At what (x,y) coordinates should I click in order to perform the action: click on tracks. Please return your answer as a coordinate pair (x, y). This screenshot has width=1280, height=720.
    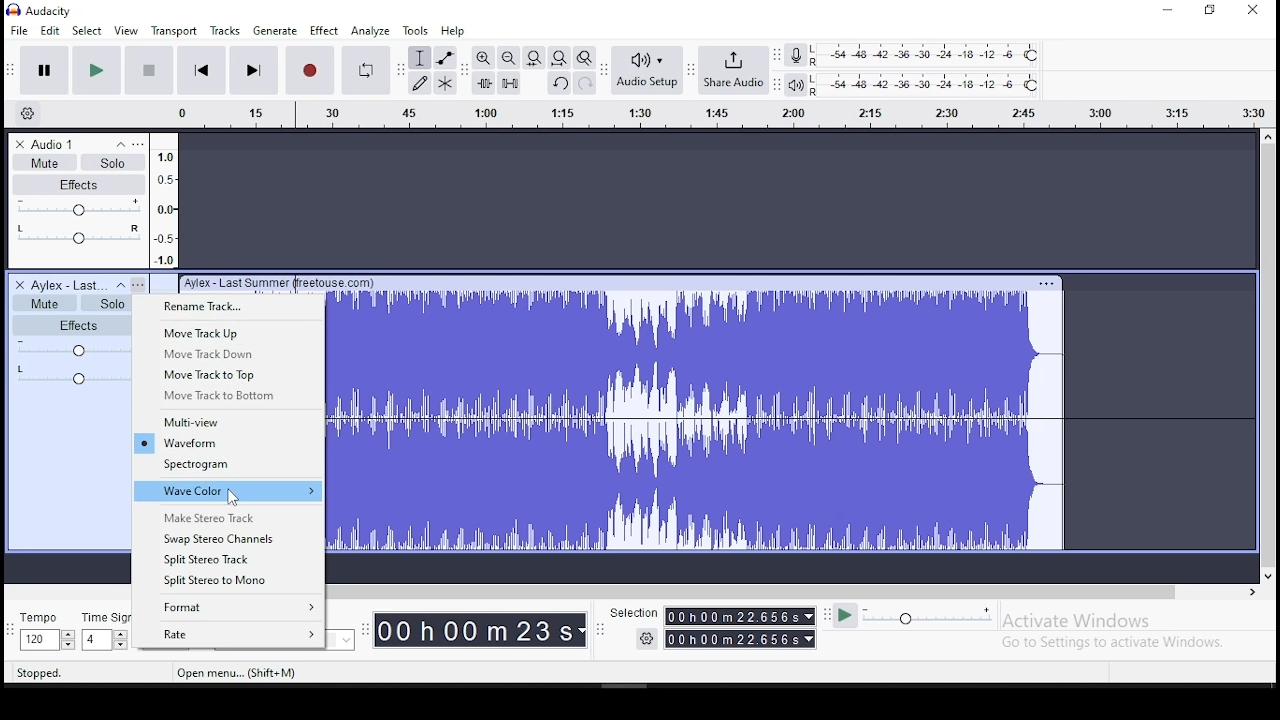
    Looking at the image, I should click on (225, 30).